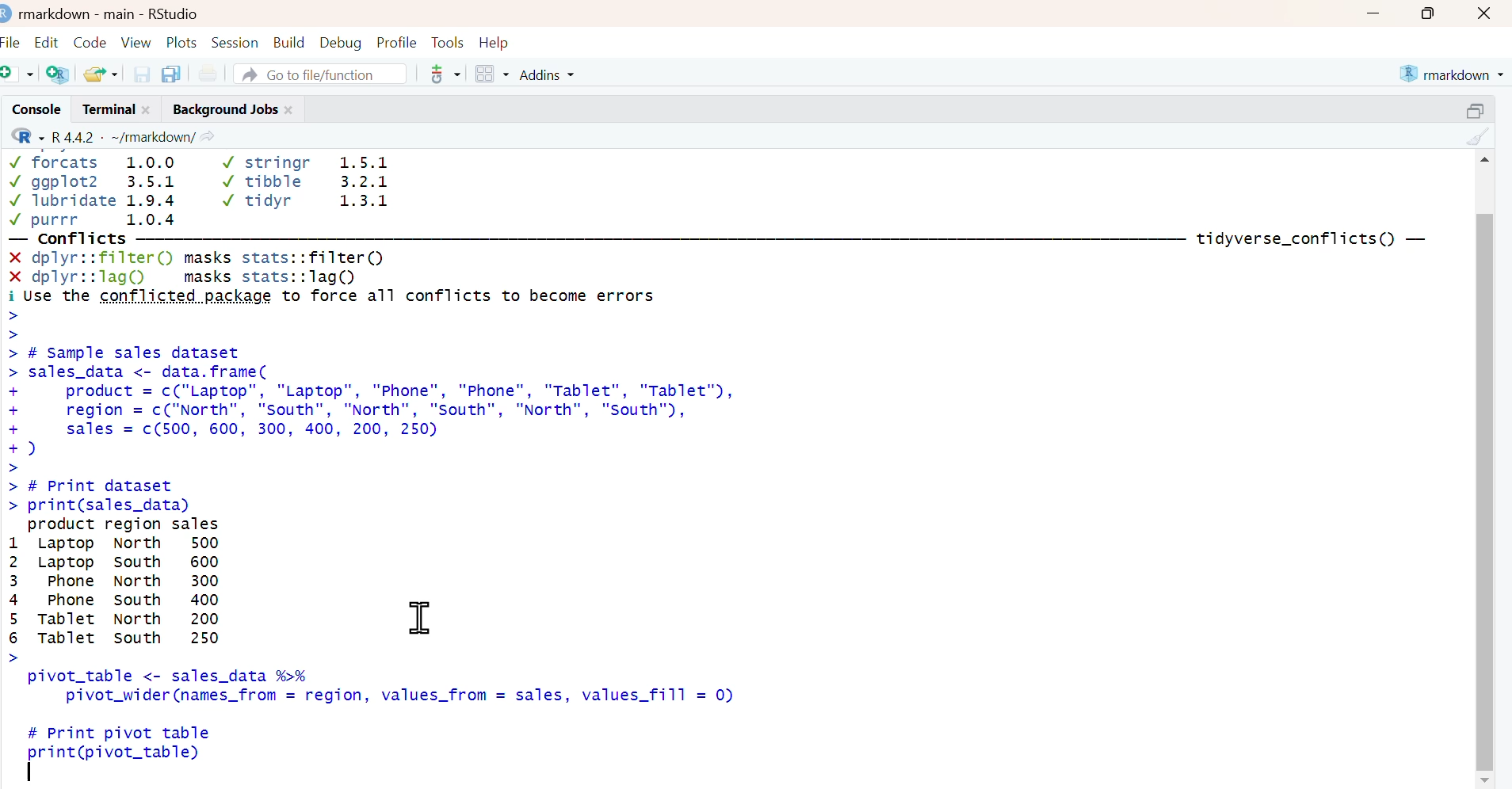 The image size is (1512, 789). Describe the element at coordinates (13, 40) in the screenshot. I see `File` at that location.